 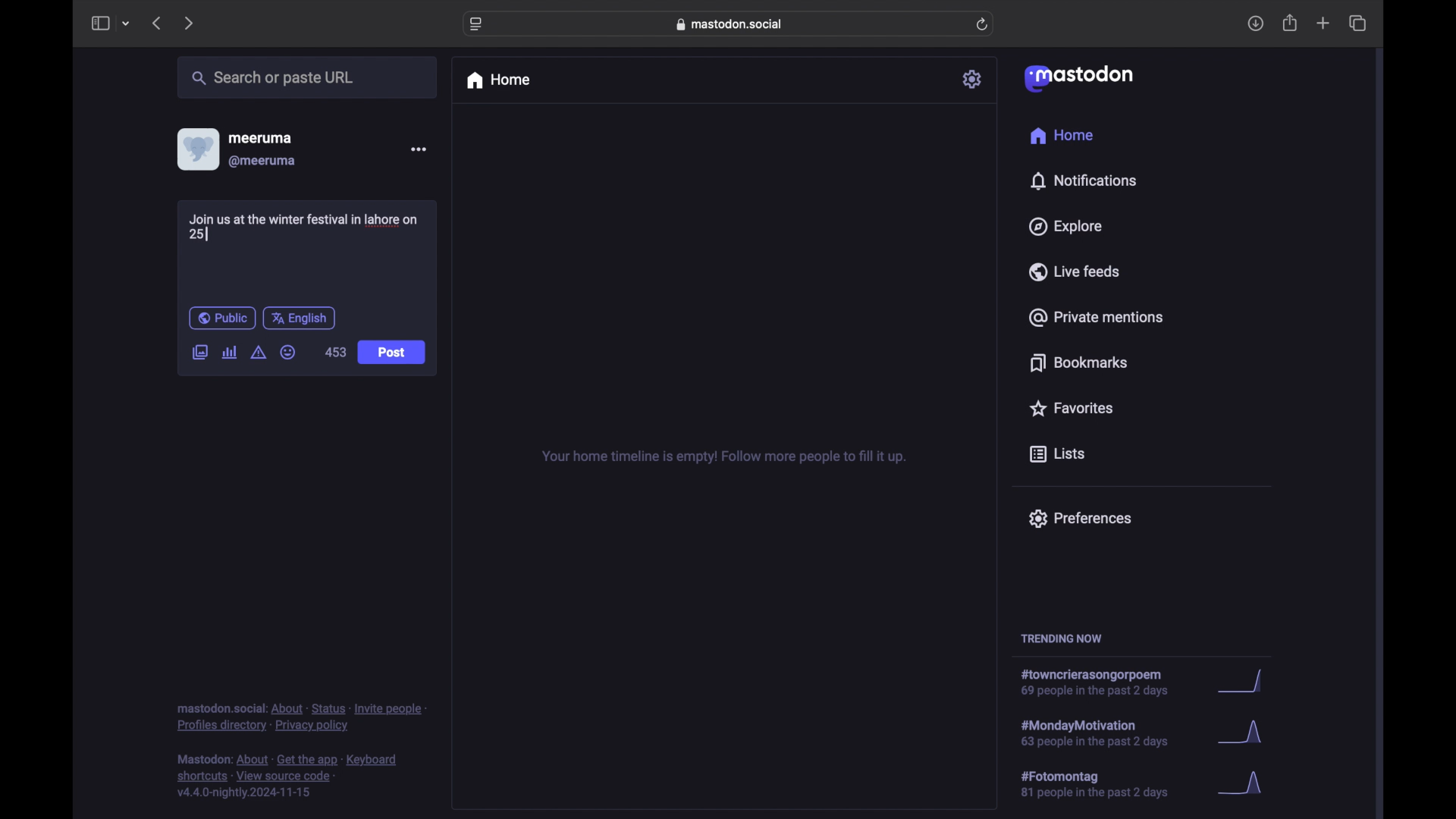 What do you see at coordinates (1097, 317) in the screenshot?
I see `private mentions` at bounding box center [1097, 317].